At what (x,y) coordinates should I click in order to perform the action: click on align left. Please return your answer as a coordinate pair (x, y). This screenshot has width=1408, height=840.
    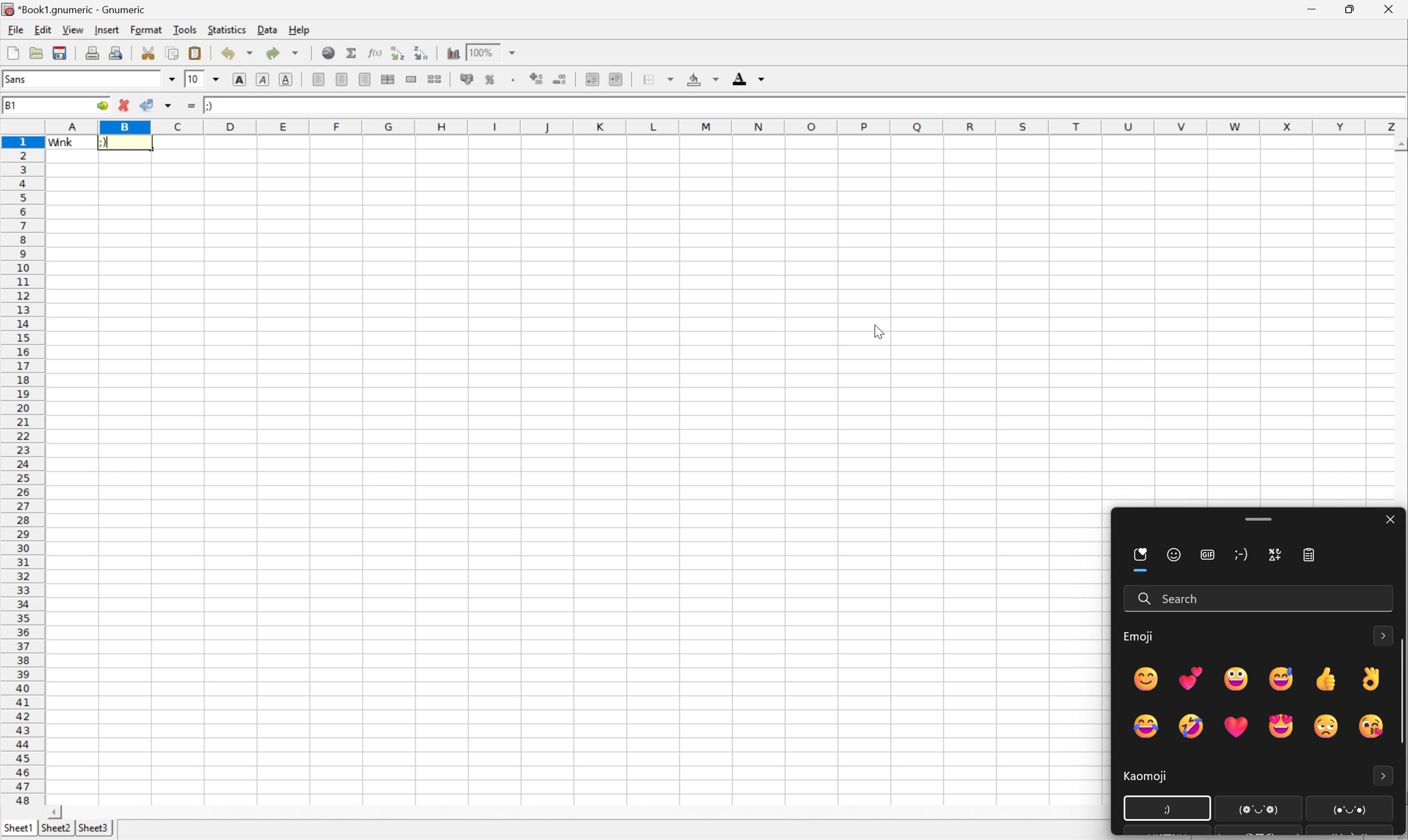
    Looking at the image, I should click on (320, 79).